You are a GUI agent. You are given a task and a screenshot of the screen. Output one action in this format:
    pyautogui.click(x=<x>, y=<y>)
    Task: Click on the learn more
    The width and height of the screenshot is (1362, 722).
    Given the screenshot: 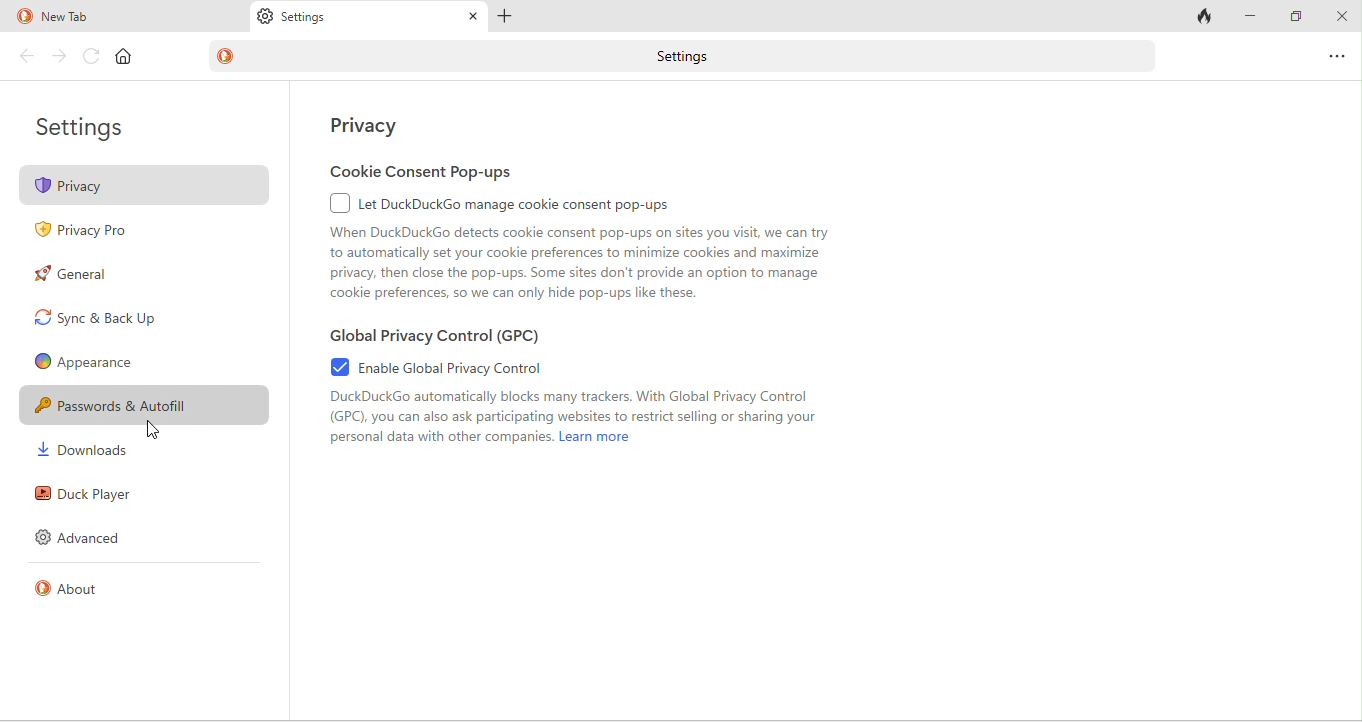 What is the action you would take?
    pyautogui.click(x=598, y=439)
    